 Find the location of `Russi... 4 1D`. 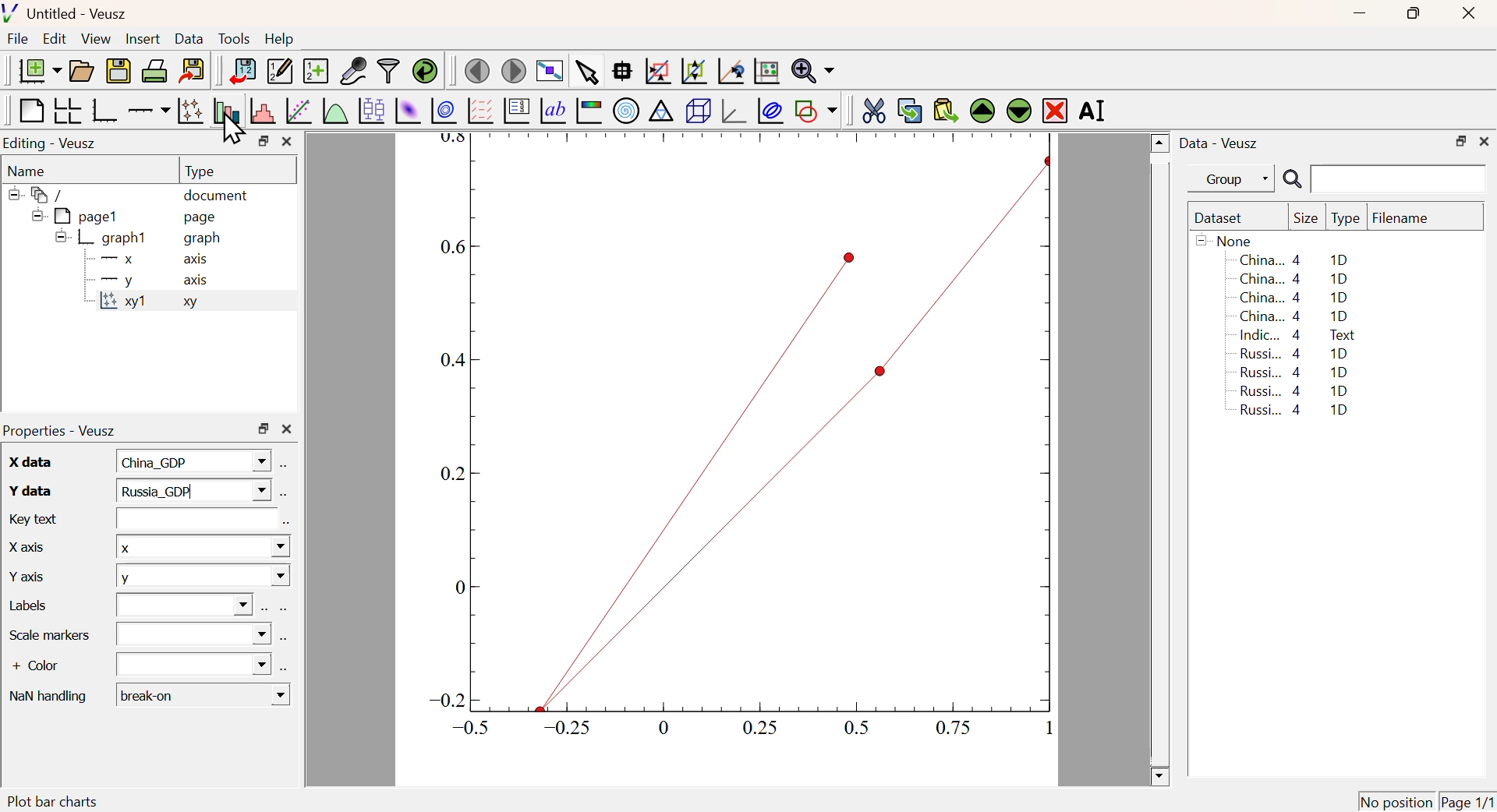

Russi... 4 1D is located at coordinates (1297, 411).